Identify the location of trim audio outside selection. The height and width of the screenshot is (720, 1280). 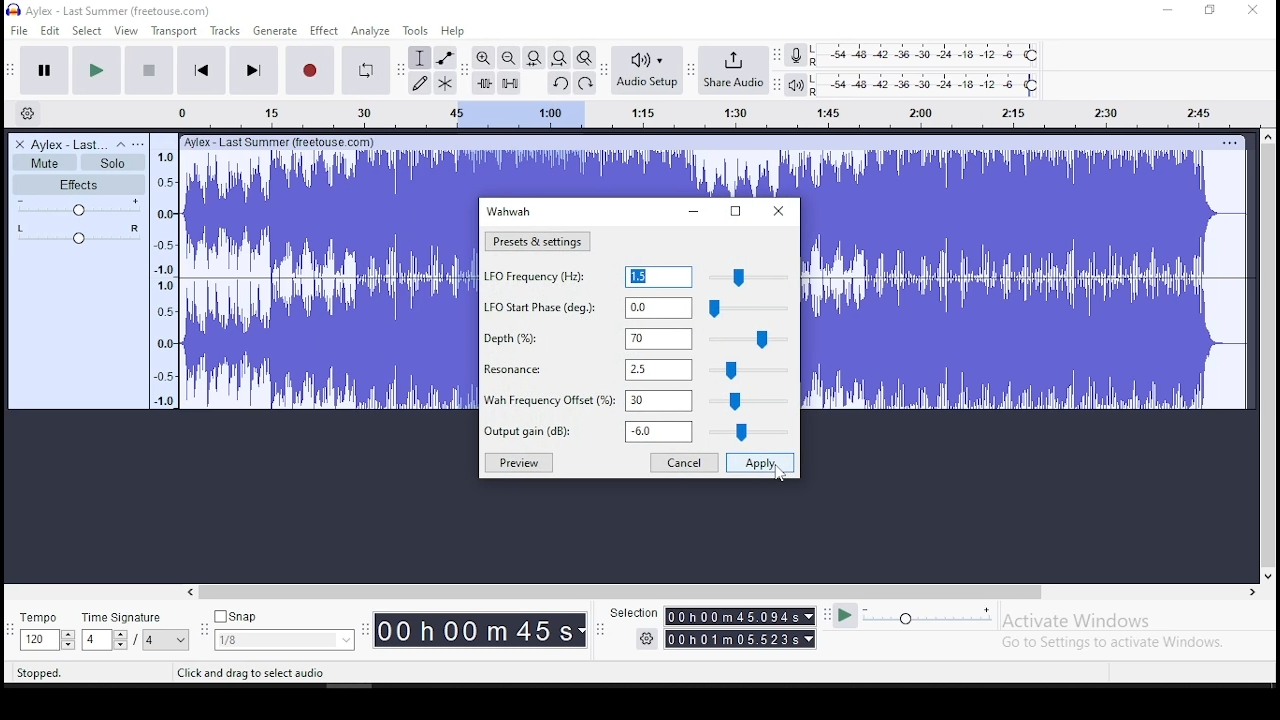
(483, 82).